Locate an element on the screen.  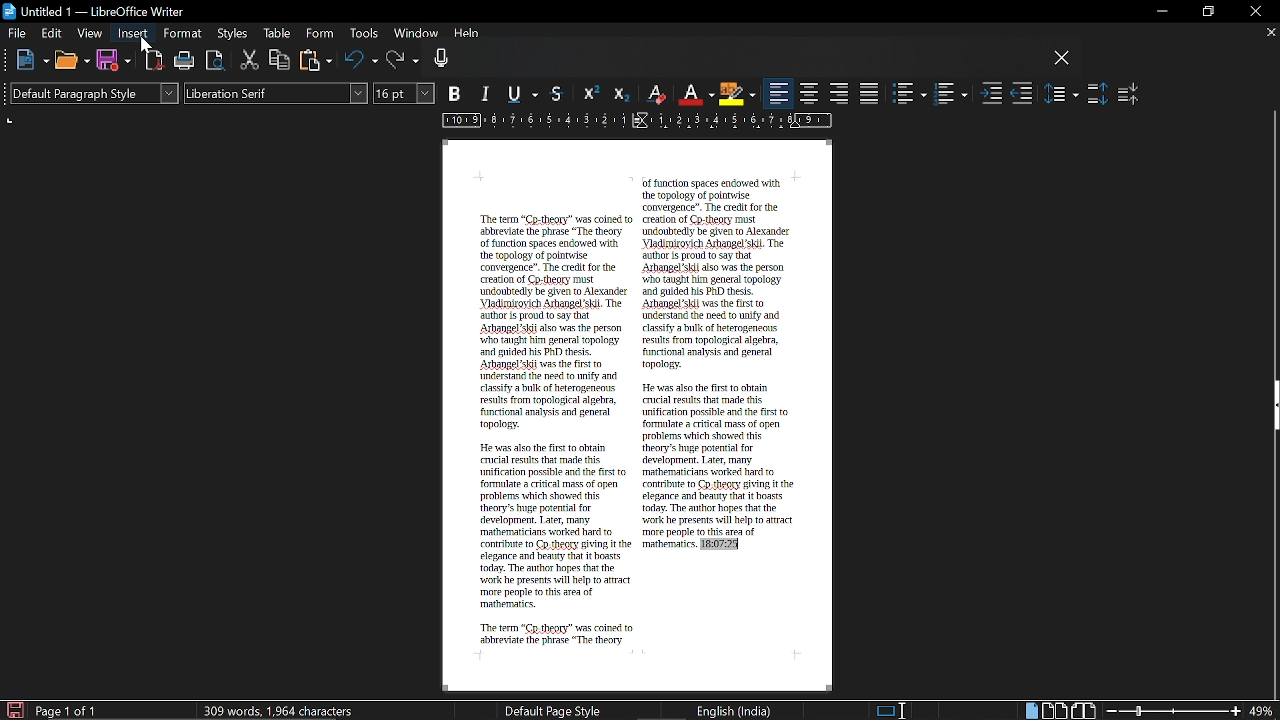
Decrease paragraph spacing is located at coordinates (1129, 93).